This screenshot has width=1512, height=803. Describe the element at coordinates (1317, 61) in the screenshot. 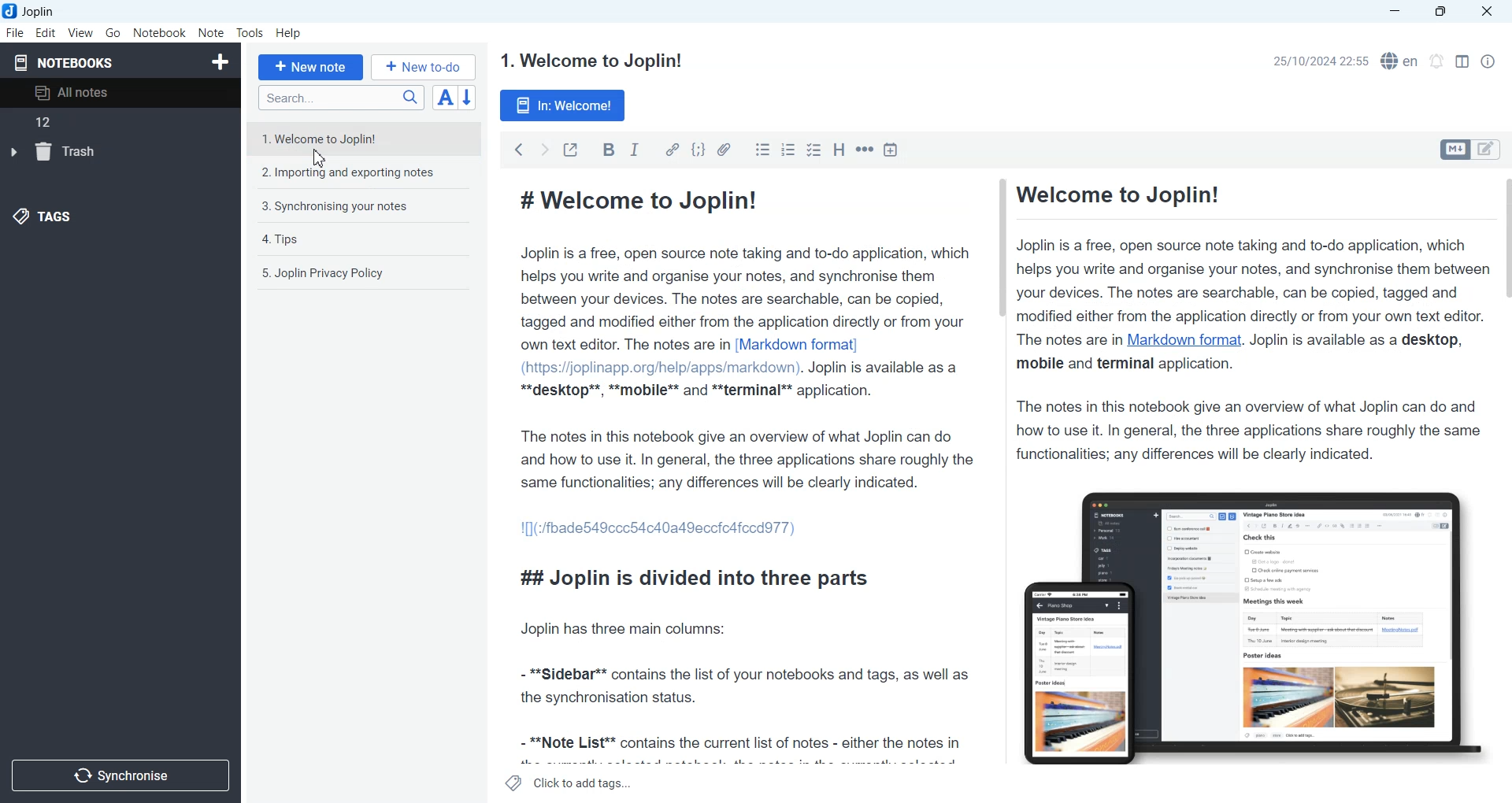

I see `25/10/2024 22:55` at that location.